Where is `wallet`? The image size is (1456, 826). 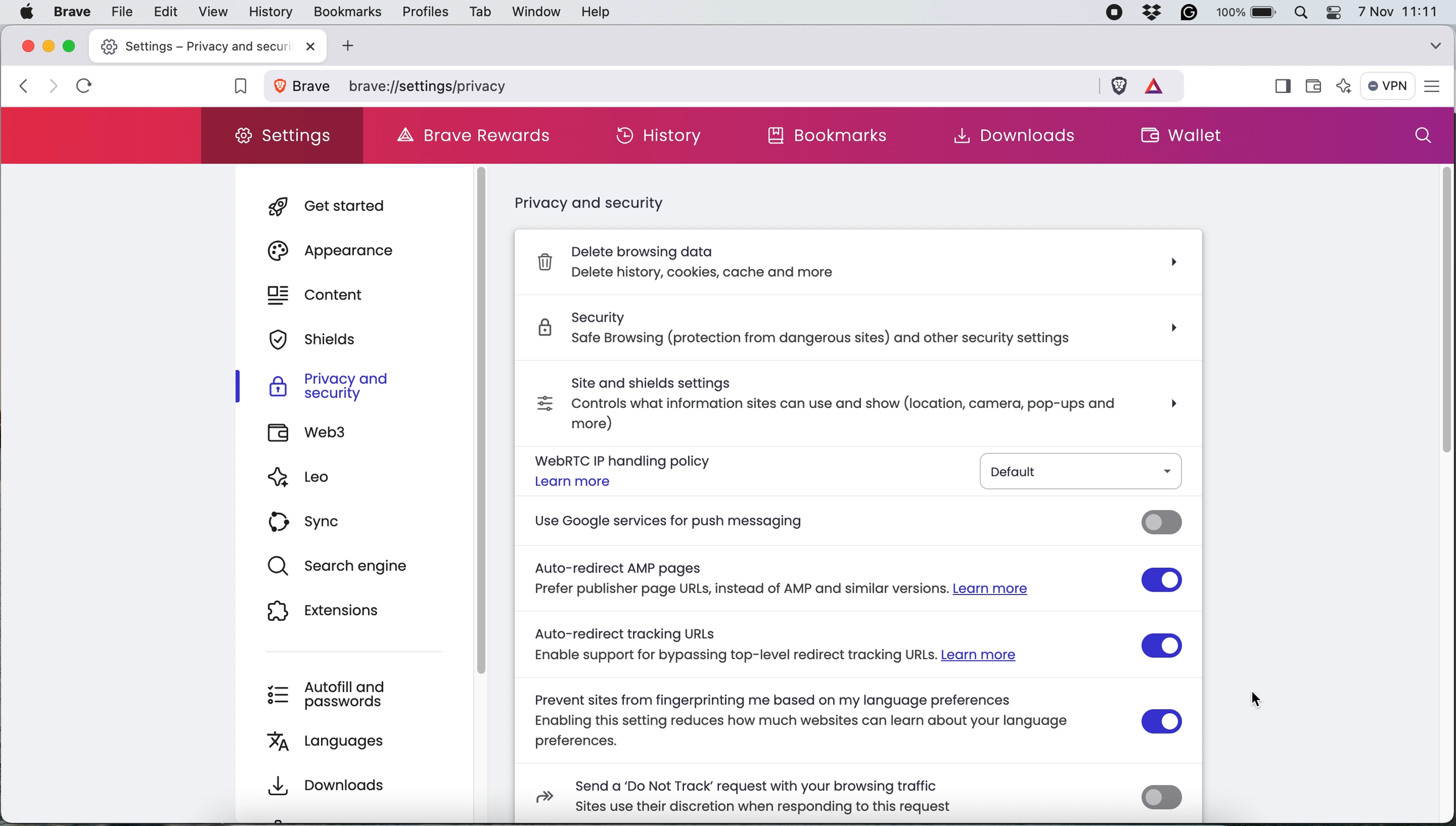 wallet is located at coordinates (1318, 82).